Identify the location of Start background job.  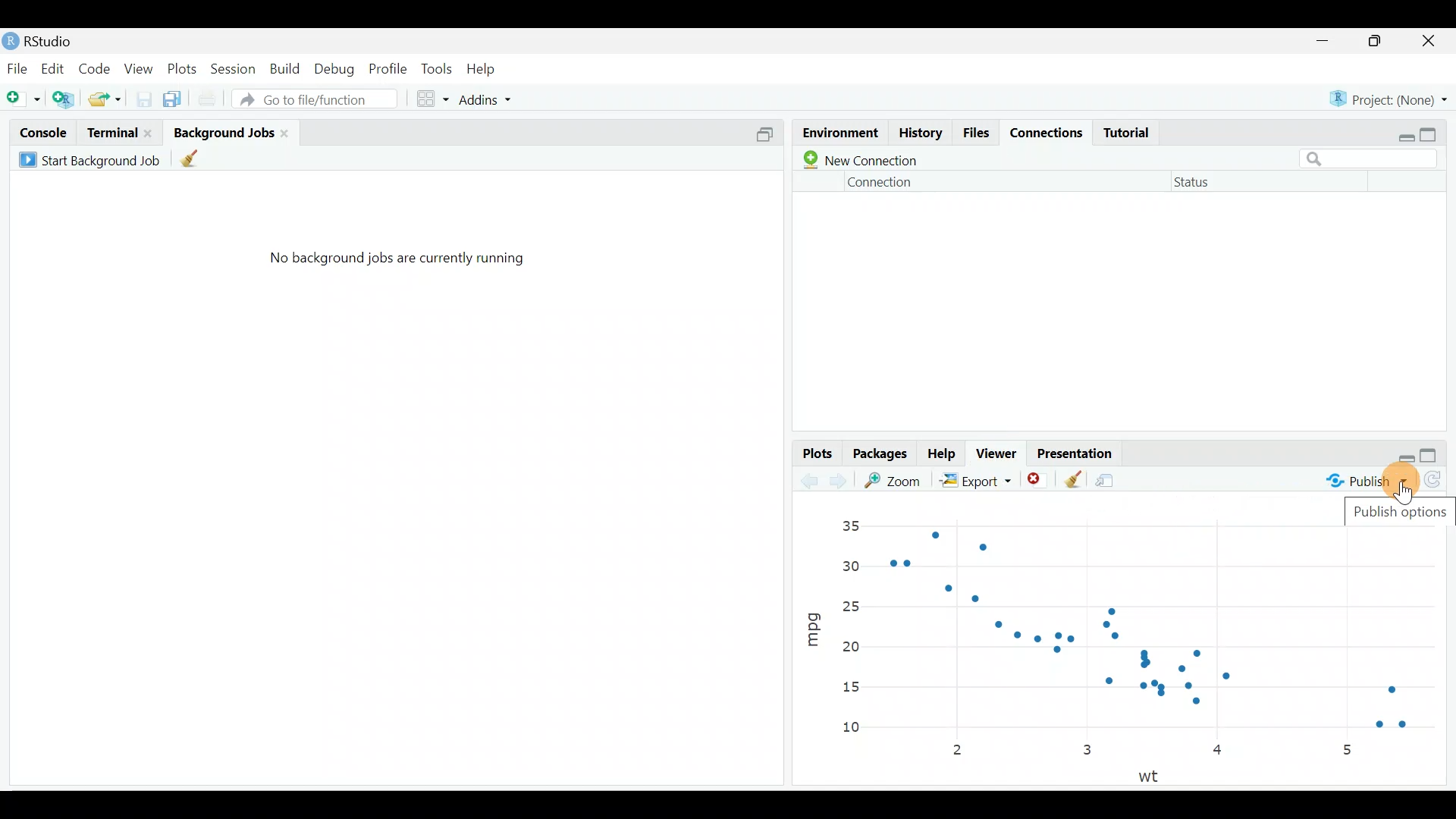
(93, 158).